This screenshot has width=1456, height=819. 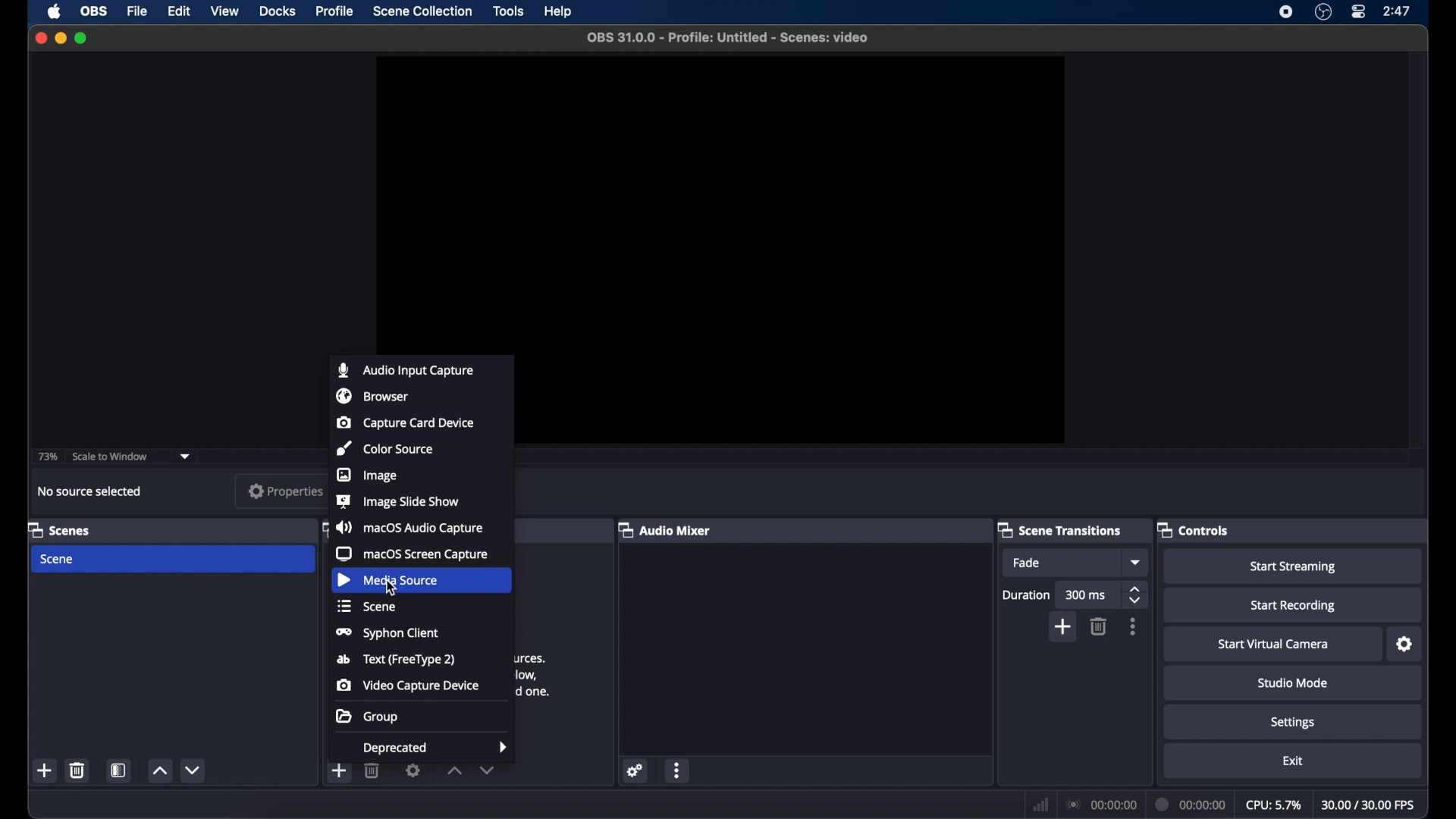 What do you see at coordinates (45, 770) in the screenshot?
I see `add` at bounding box center [45, 770].